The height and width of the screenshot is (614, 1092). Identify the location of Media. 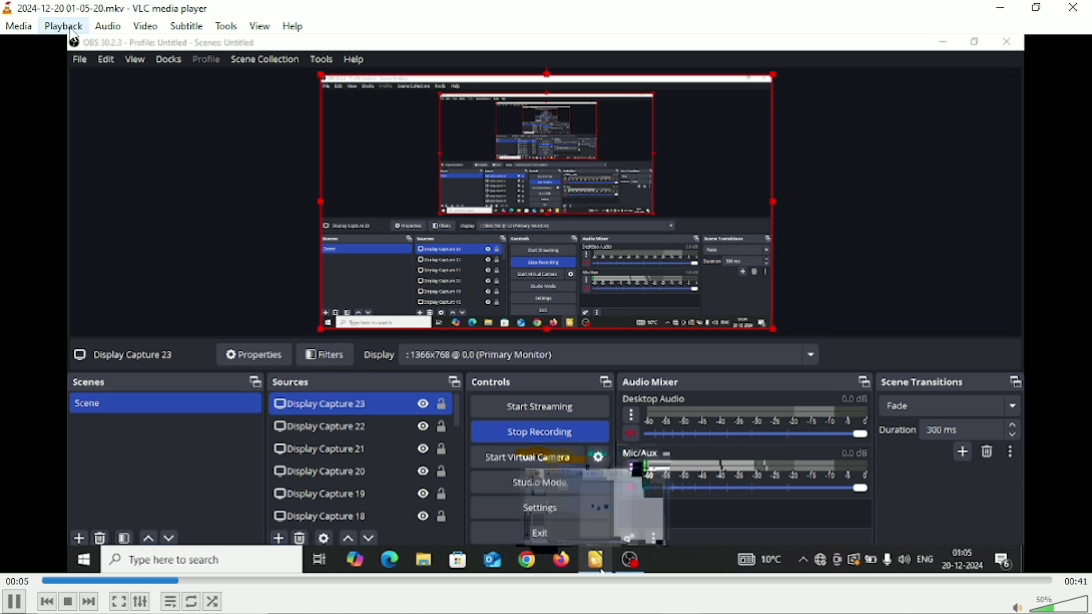
(18, 27).